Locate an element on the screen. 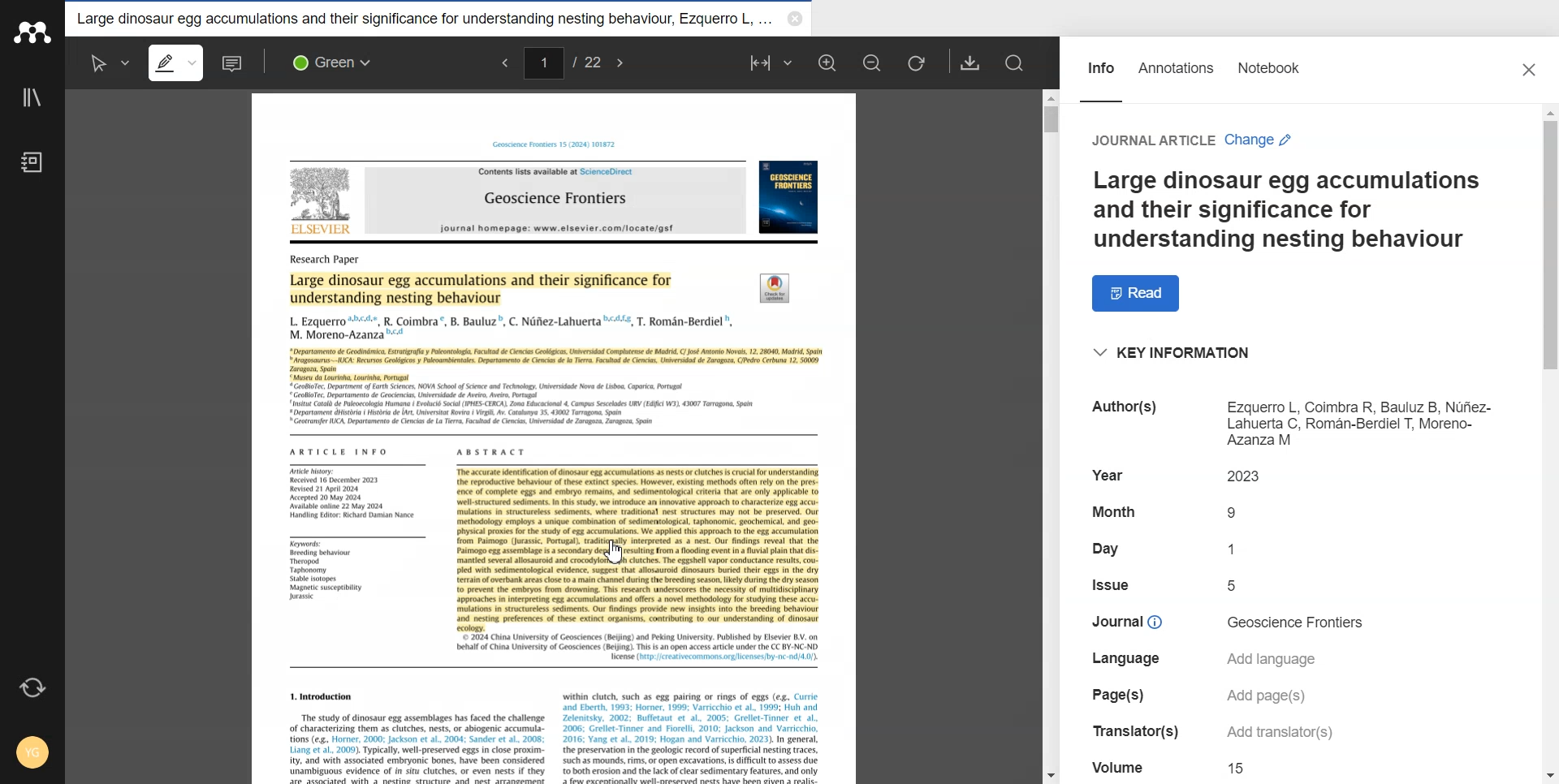 Image resolution: width=1559 pixels, height=784 pixels. text is located at coordinates (1118, 694).